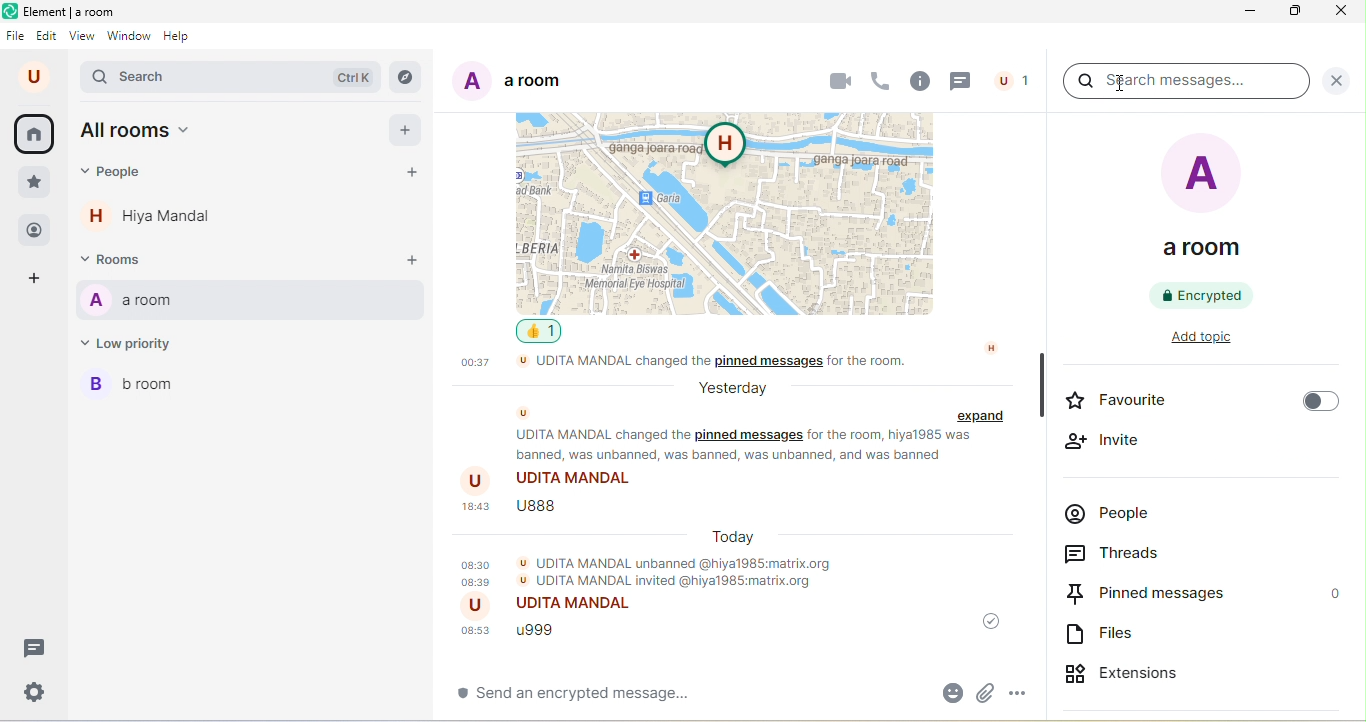  I want to click on u888, so click(516, 512).